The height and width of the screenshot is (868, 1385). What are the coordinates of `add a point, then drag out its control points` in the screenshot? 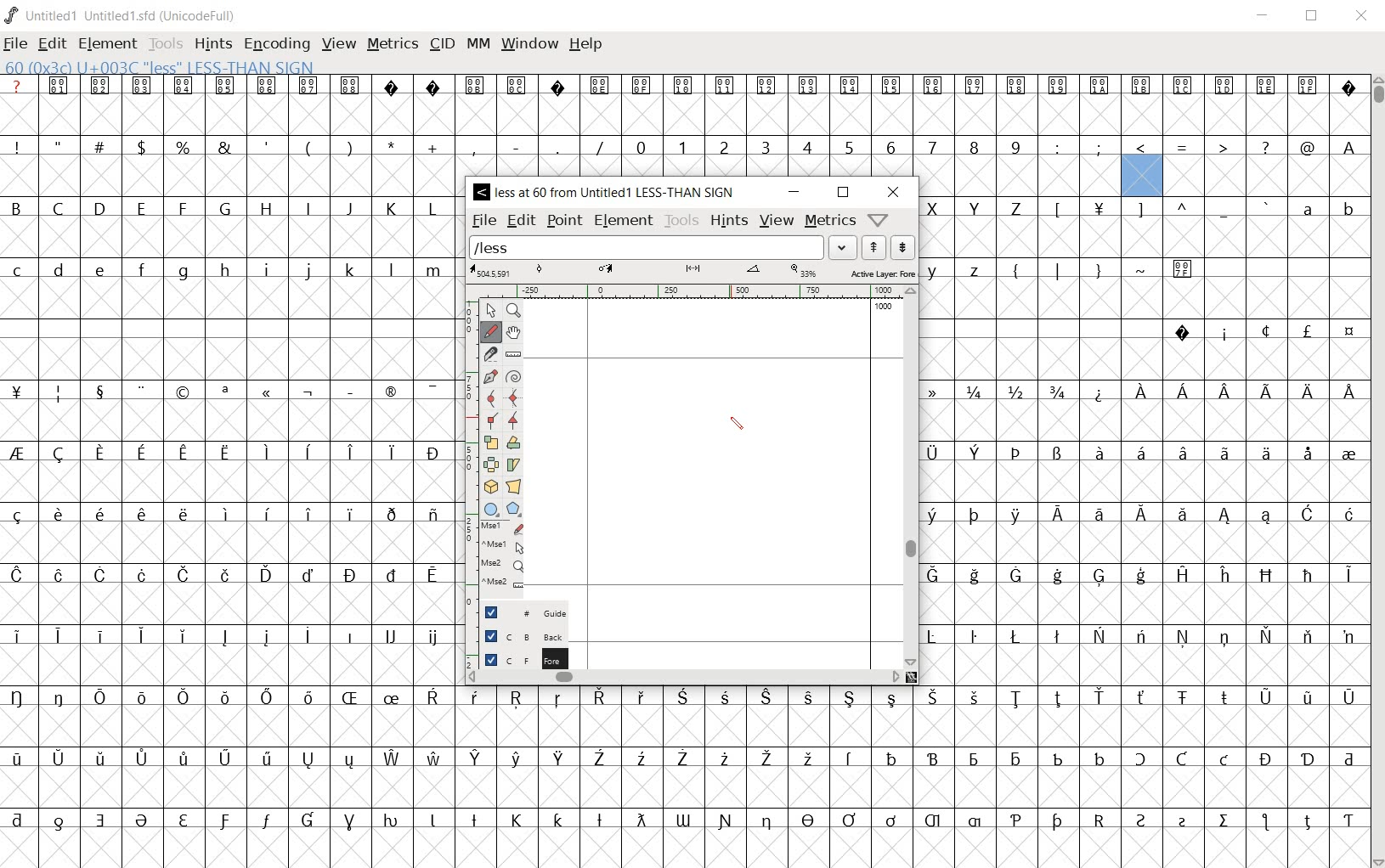 It's located at (491, 374).